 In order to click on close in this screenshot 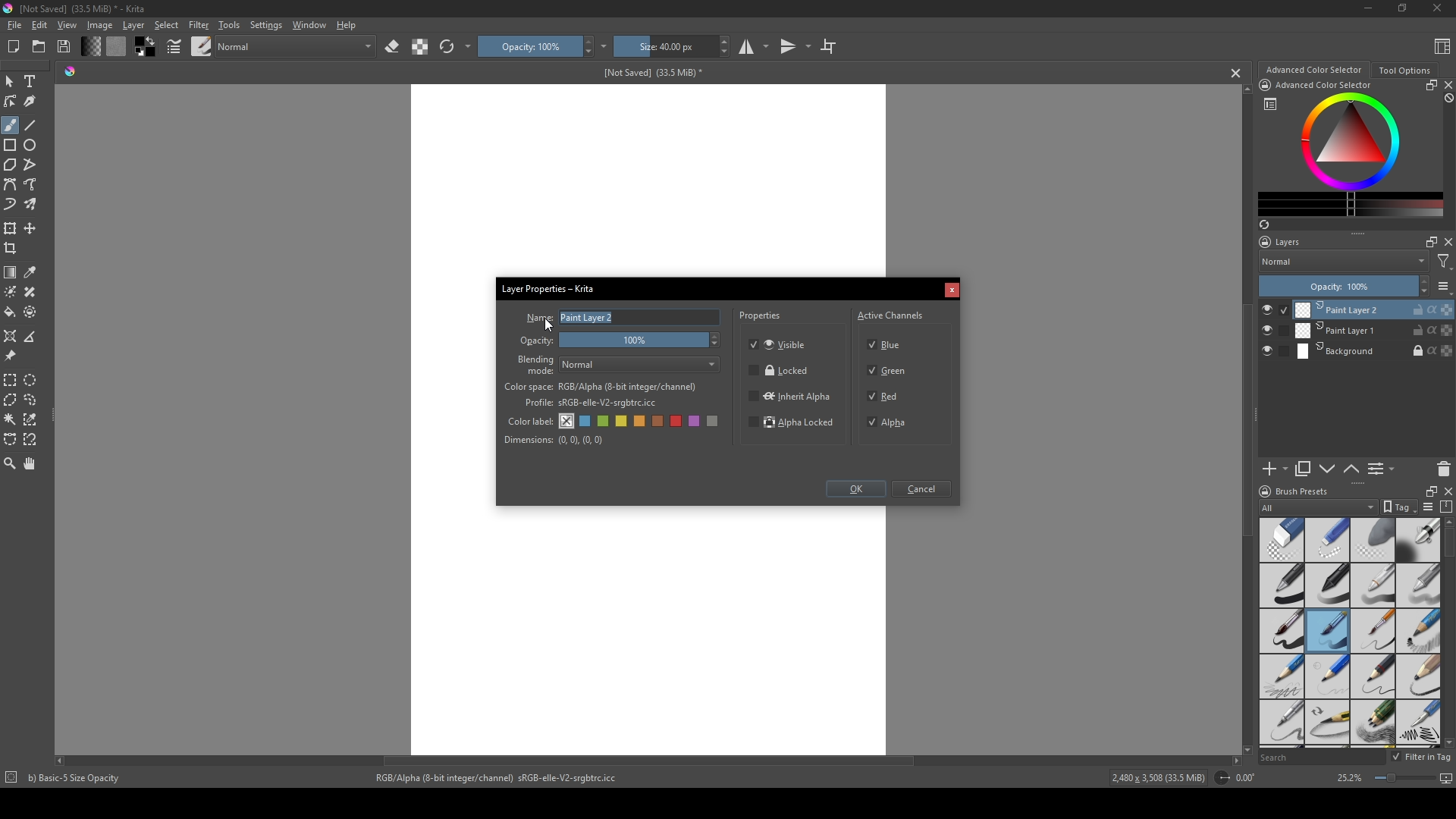, I will do `click(1447, 491)`.